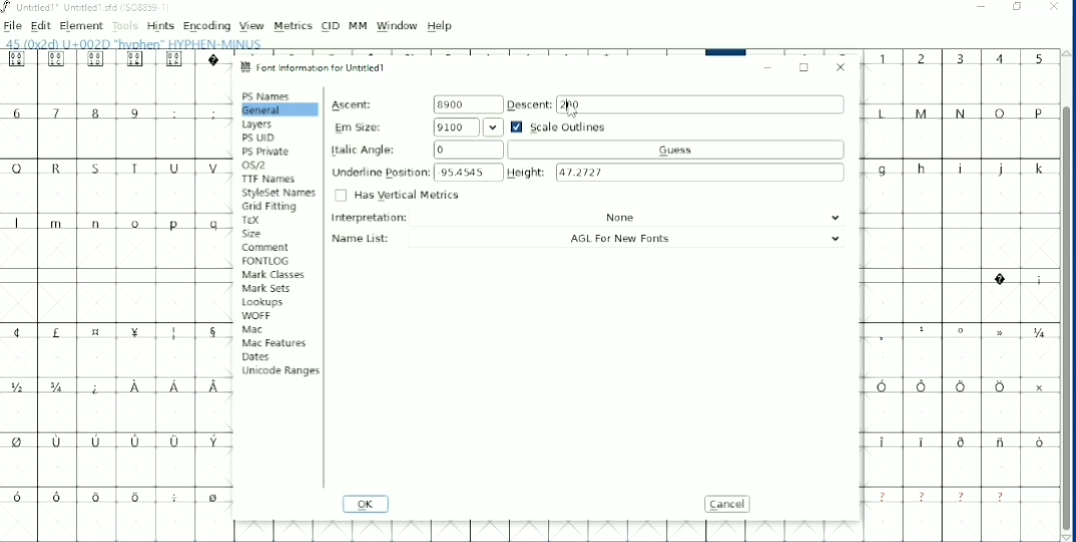 The image size is (1076, 542). What do you see at coordinates (256, 316) in the screenshot?
I see `WOFF` at bounding box center [256, 316].